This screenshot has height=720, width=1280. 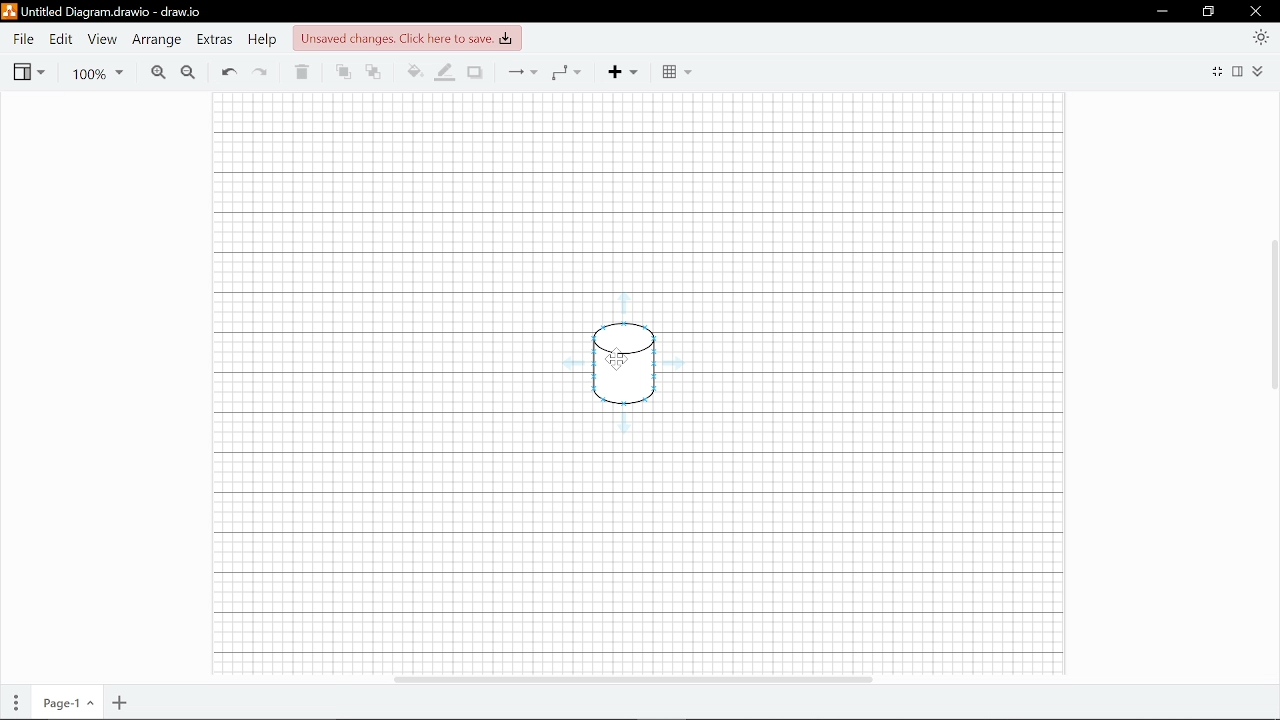 What do you see at coordinates (1258, 11) in the screenshot?
I see `Close` at bounding box center [1258, 11].